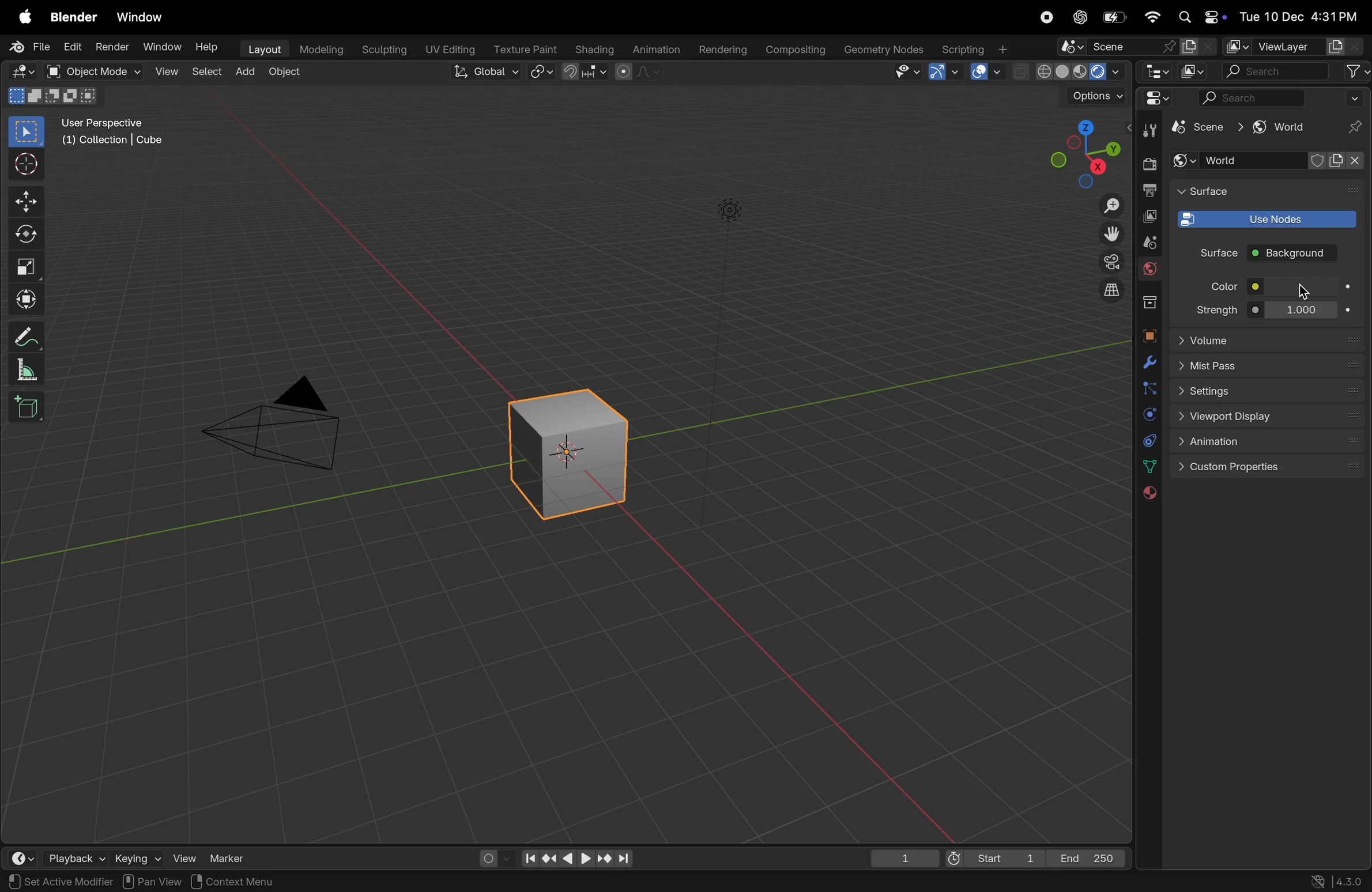 The height and width of the screenshot is (892, 1372). I want to click on Window, so click(161, 47).